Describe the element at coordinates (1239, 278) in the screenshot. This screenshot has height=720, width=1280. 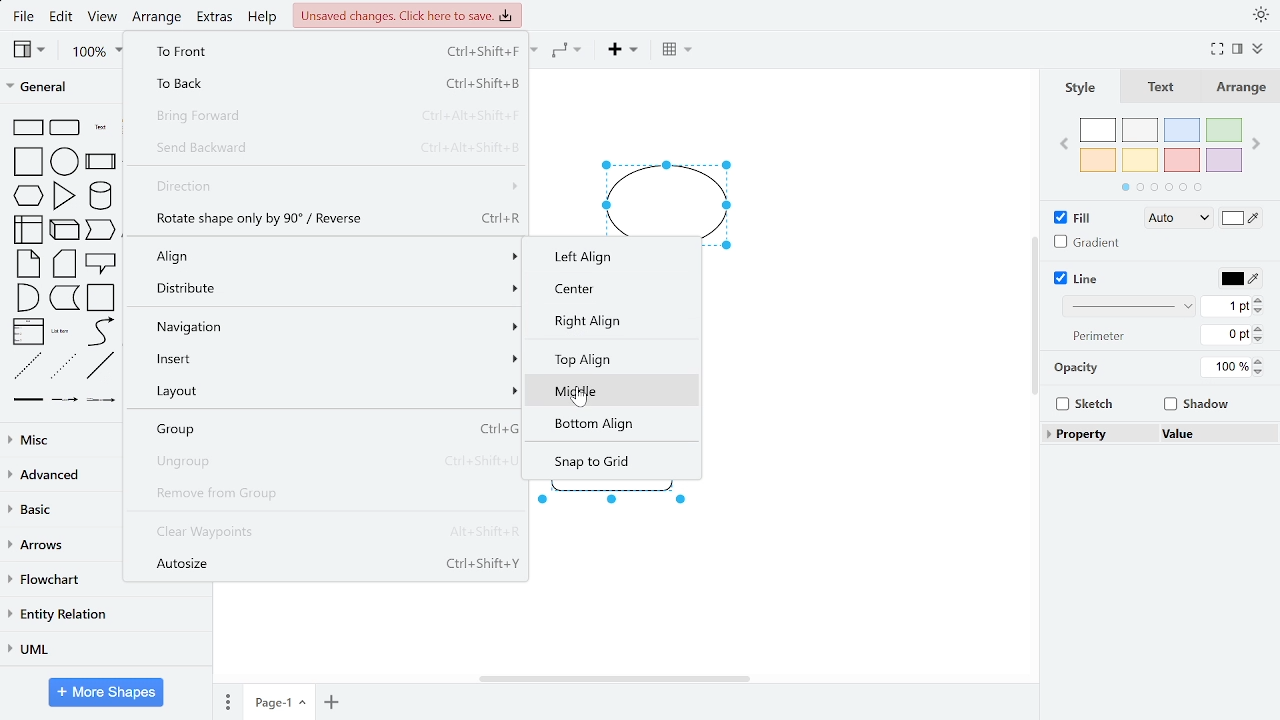
I see `line color` at that location.